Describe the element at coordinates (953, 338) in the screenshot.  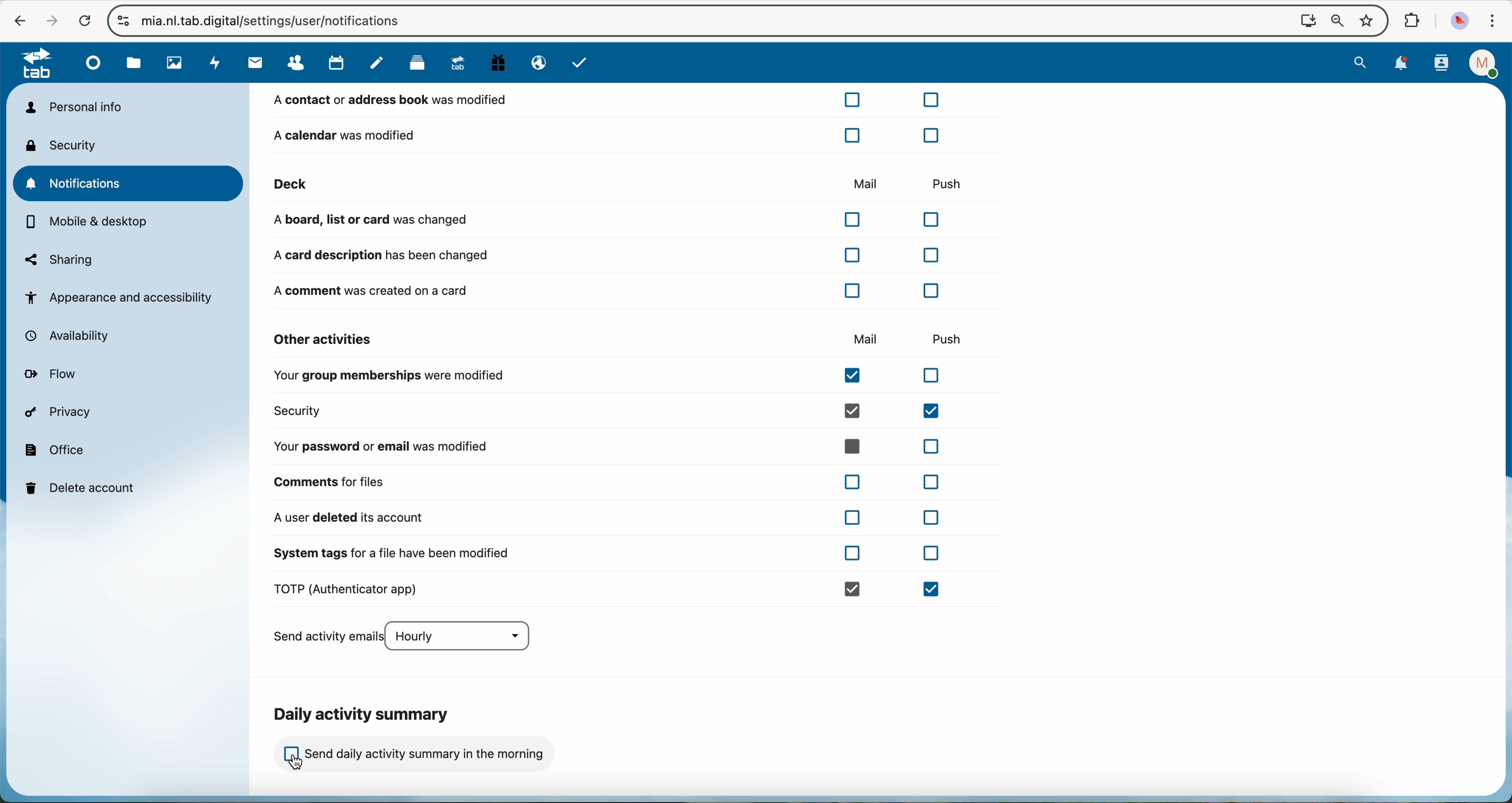
I see `push` at that location.